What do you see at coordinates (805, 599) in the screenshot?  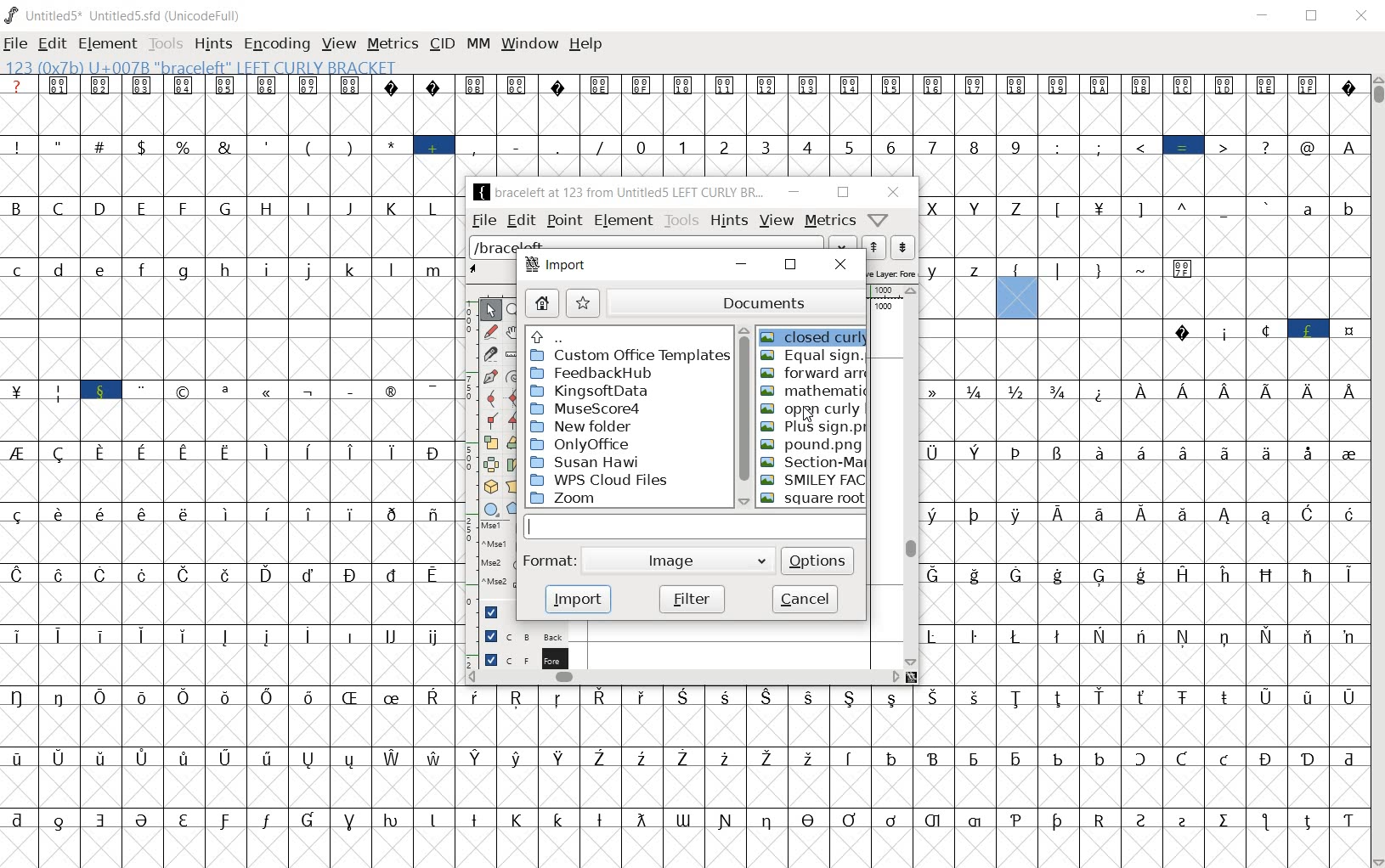 I see `cancel` at bounding box center [805, 599].